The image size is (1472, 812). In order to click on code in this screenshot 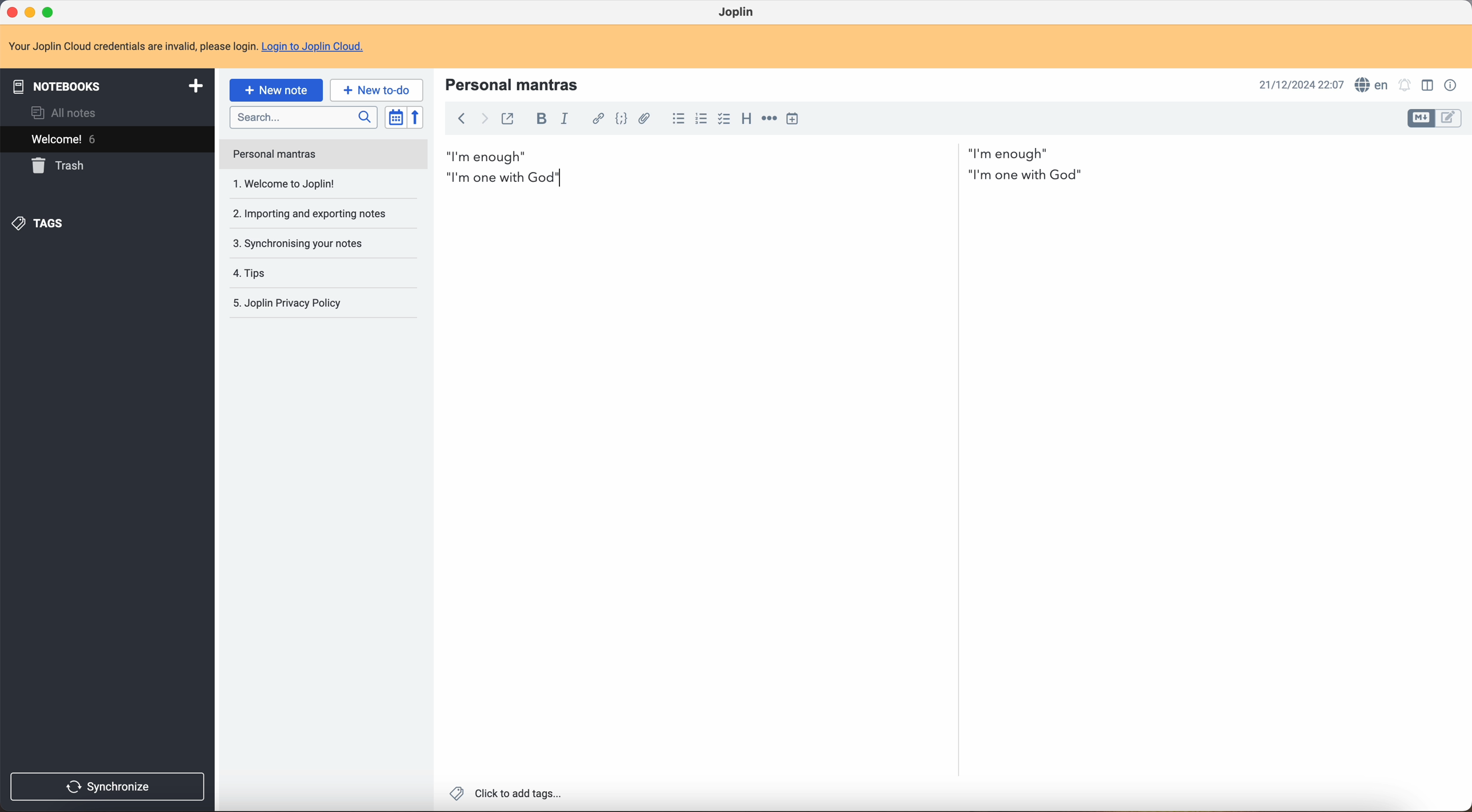, I will do `click(622, 121)`.